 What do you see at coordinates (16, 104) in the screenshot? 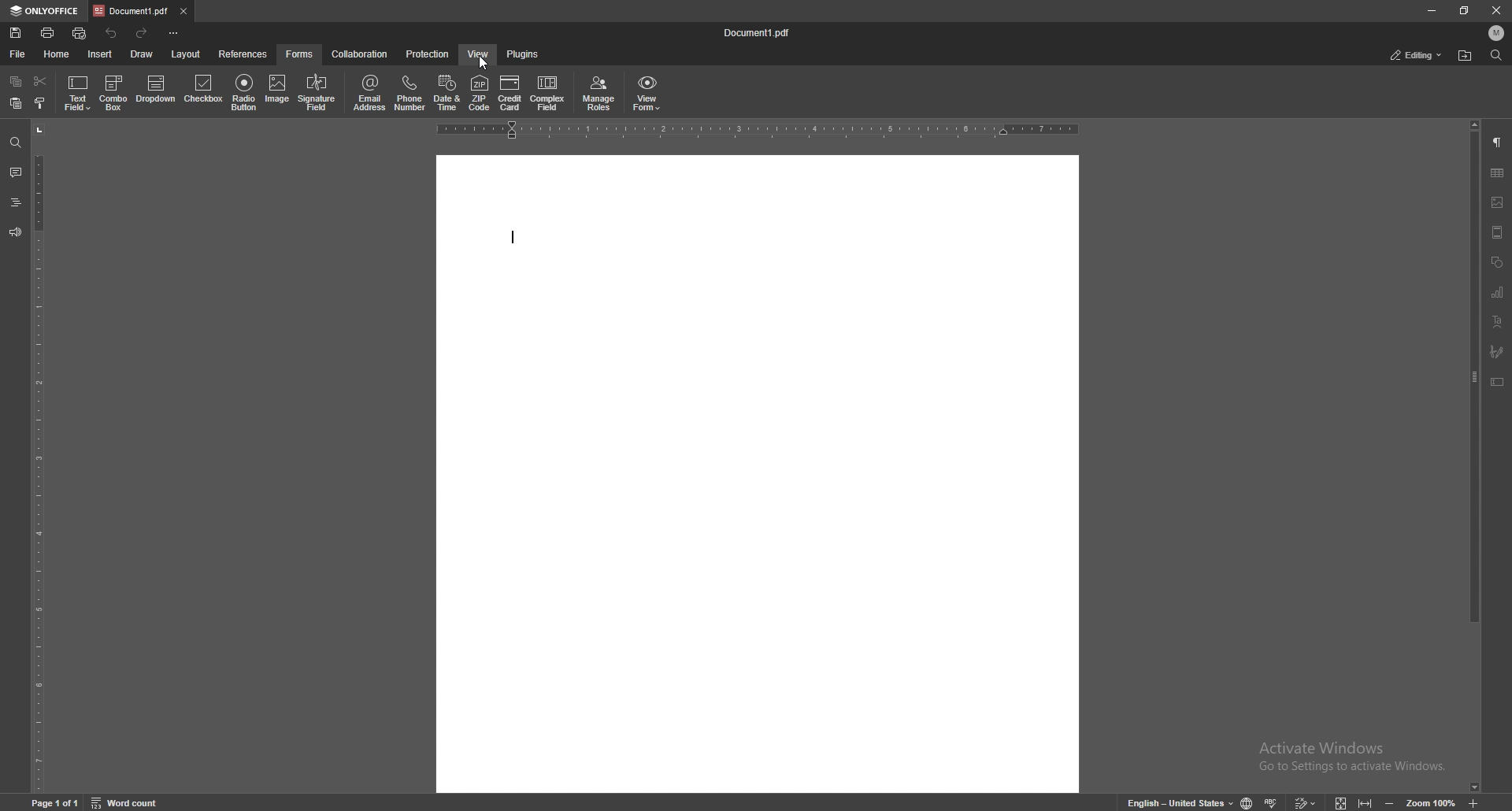
I see `paste` at bounding box center [16, 104].